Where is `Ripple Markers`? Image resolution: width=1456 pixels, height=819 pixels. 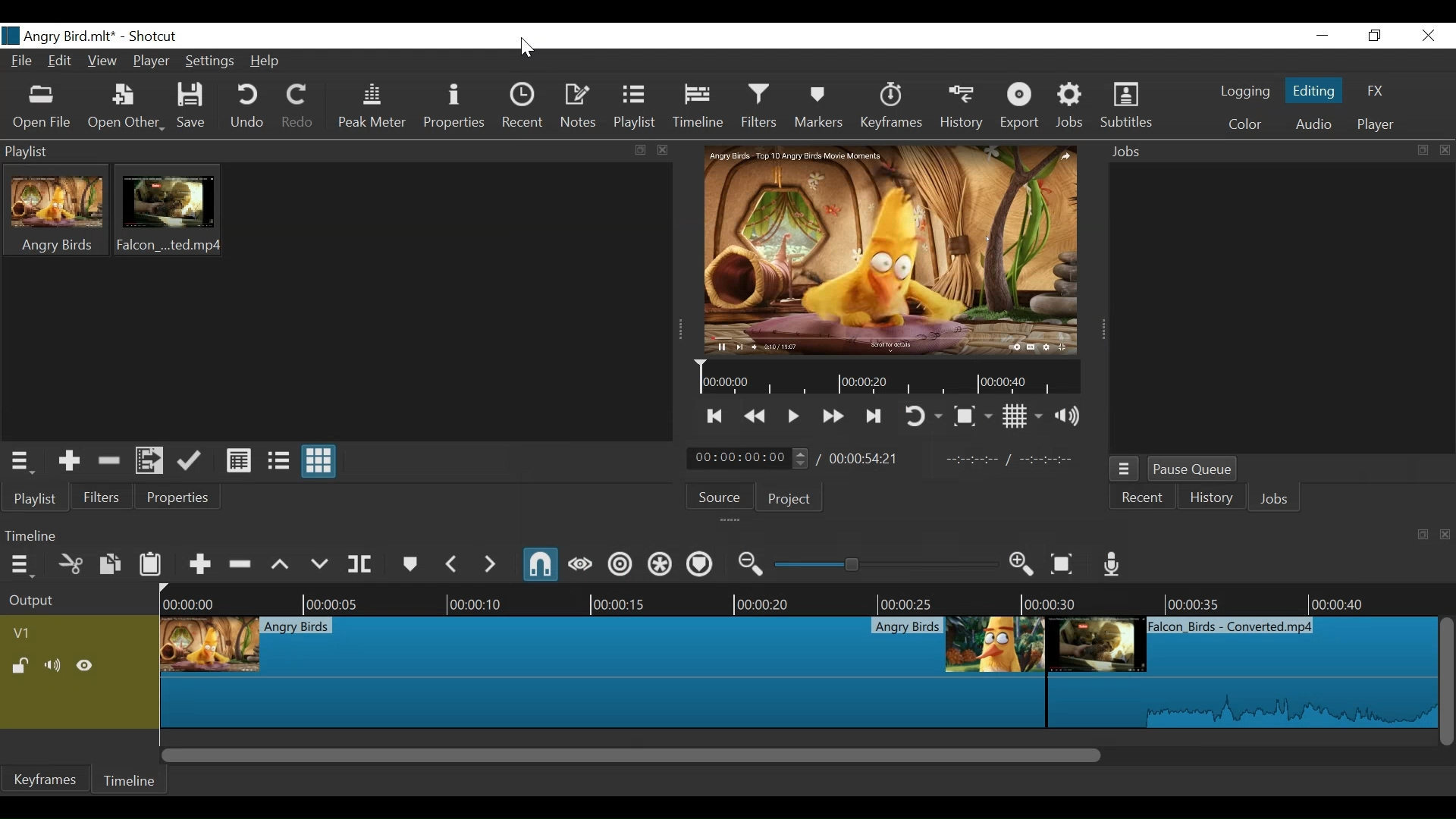
Ripple Markers is located at coordinates (698, 565).